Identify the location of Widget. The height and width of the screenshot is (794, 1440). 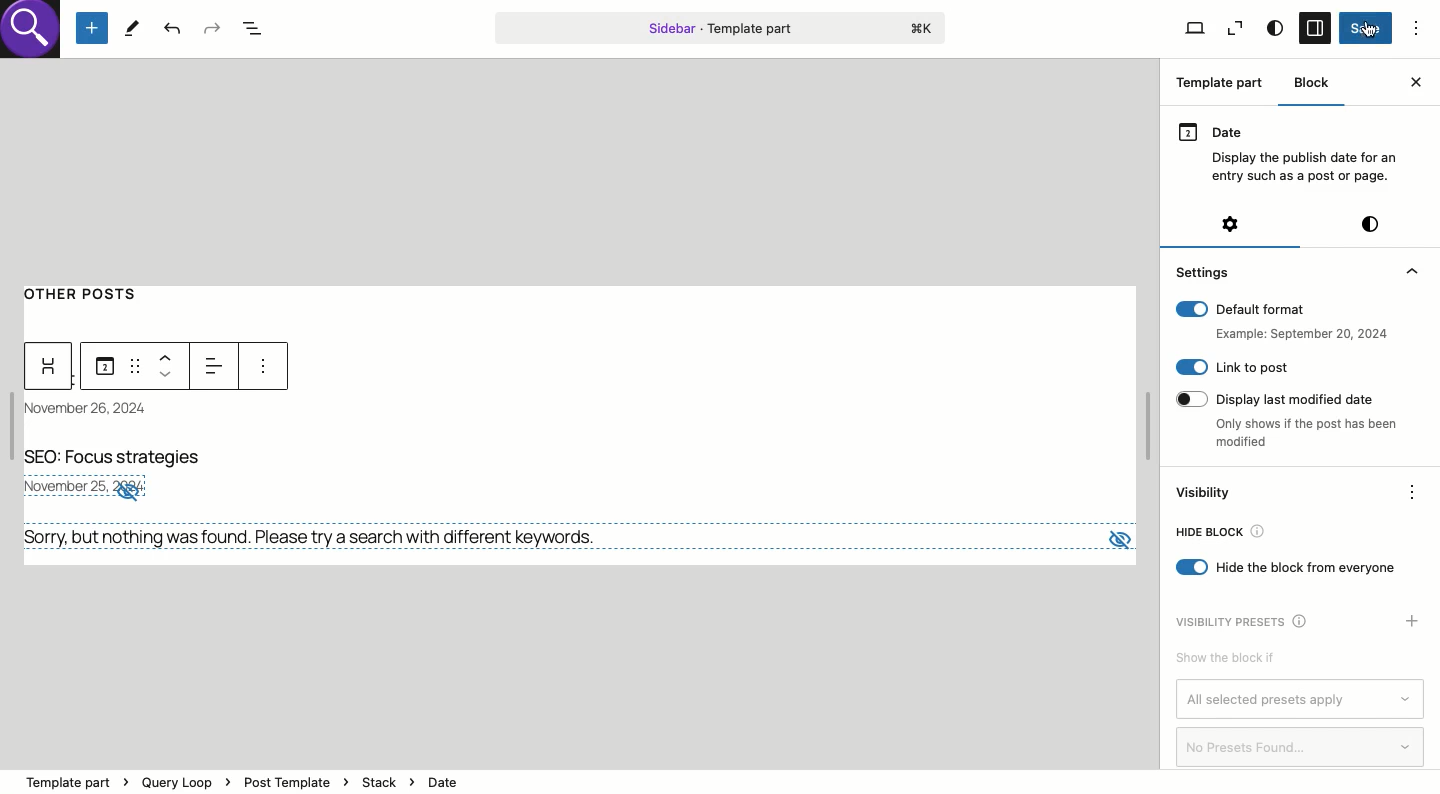
(50, 367).